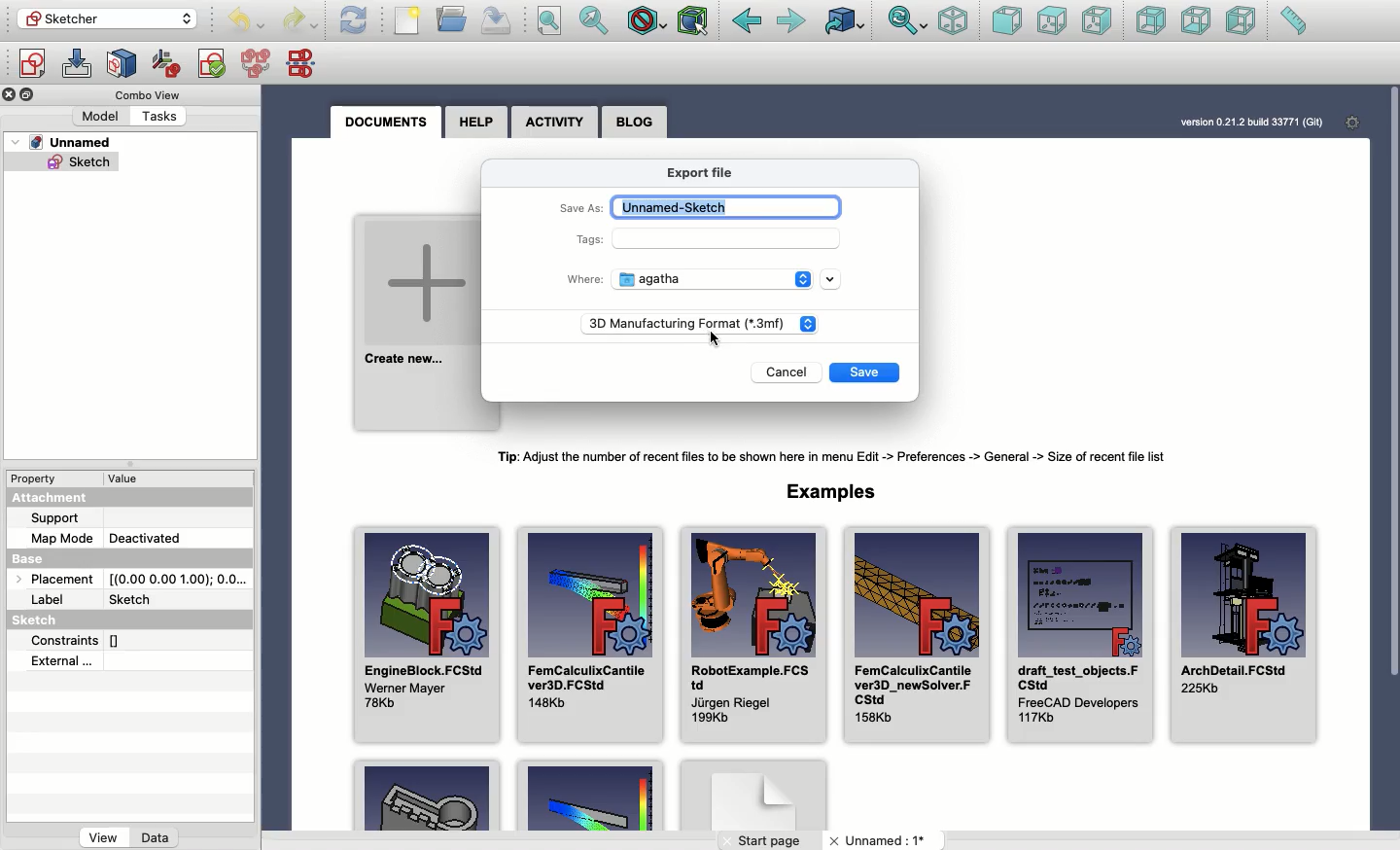 The height and width of the screenshot is (850, 1400). What do you see at coordinates (453, 18) in the screenshot?
I see `Open` at bounding box center [453, 18].